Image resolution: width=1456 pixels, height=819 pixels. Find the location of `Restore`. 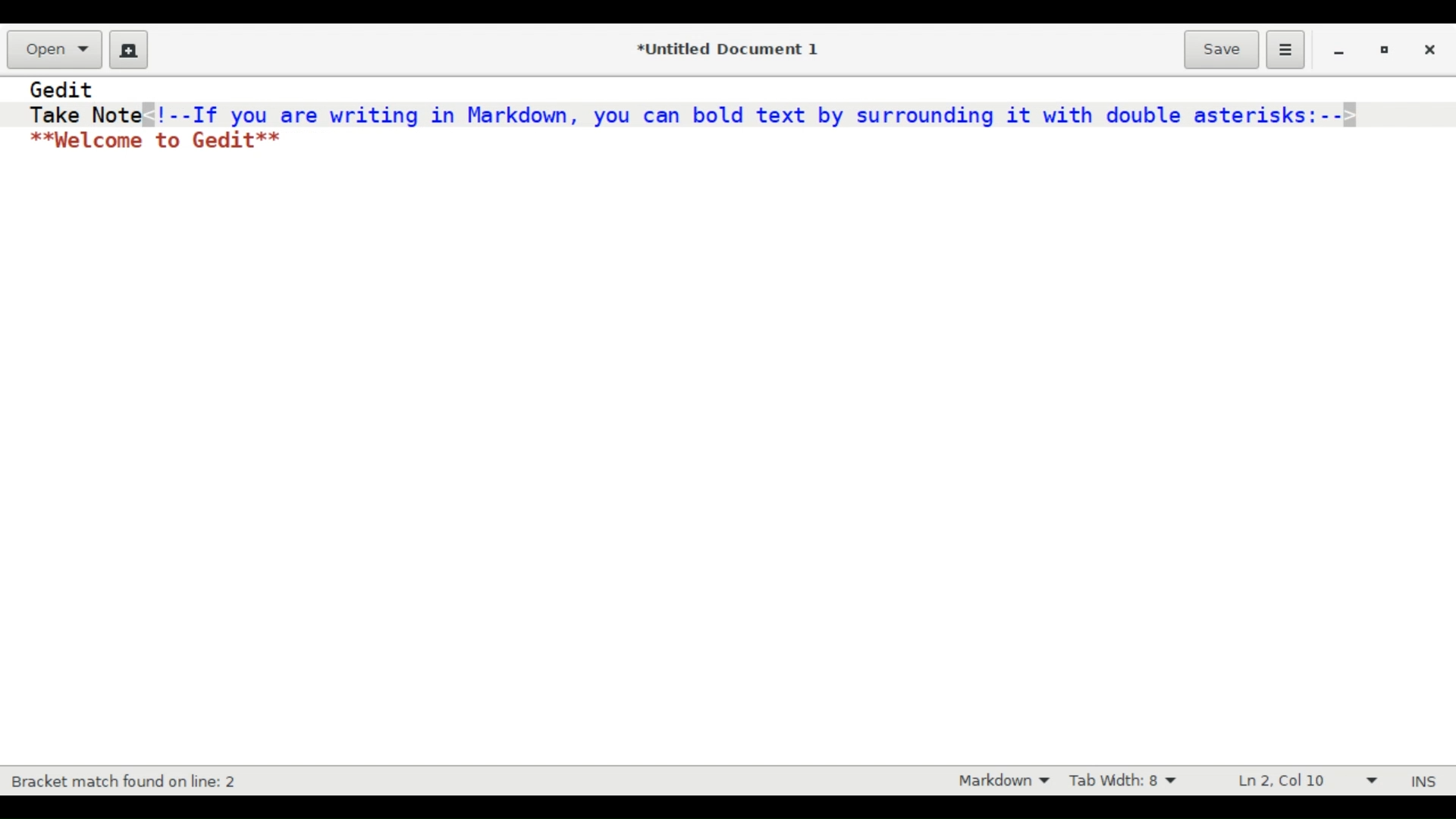

Restore is located at coordinates (1384, 51).